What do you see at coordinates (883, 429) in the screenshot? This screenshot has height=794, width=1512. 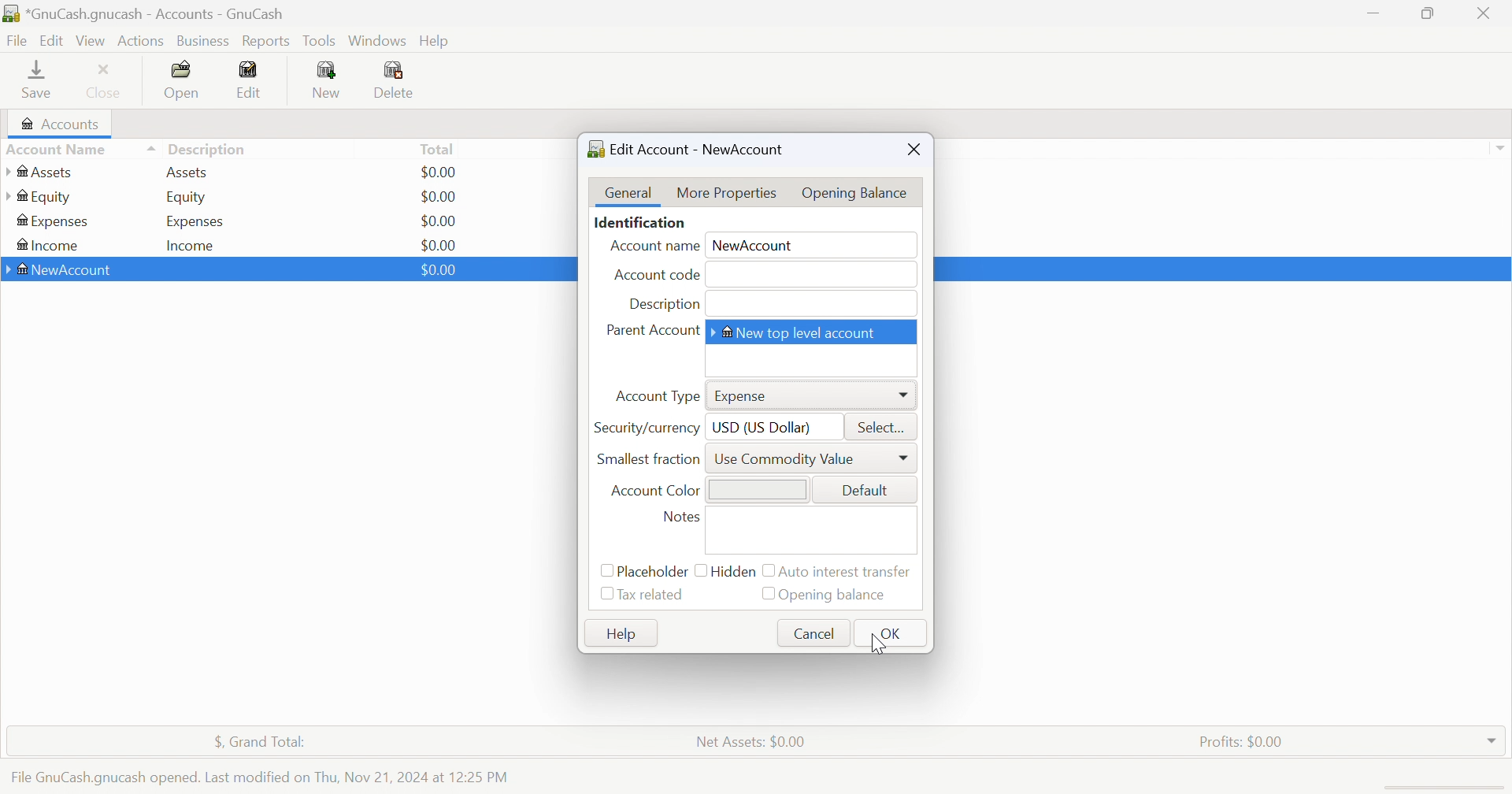 I see `Select...` at bounding box center [883, 429].